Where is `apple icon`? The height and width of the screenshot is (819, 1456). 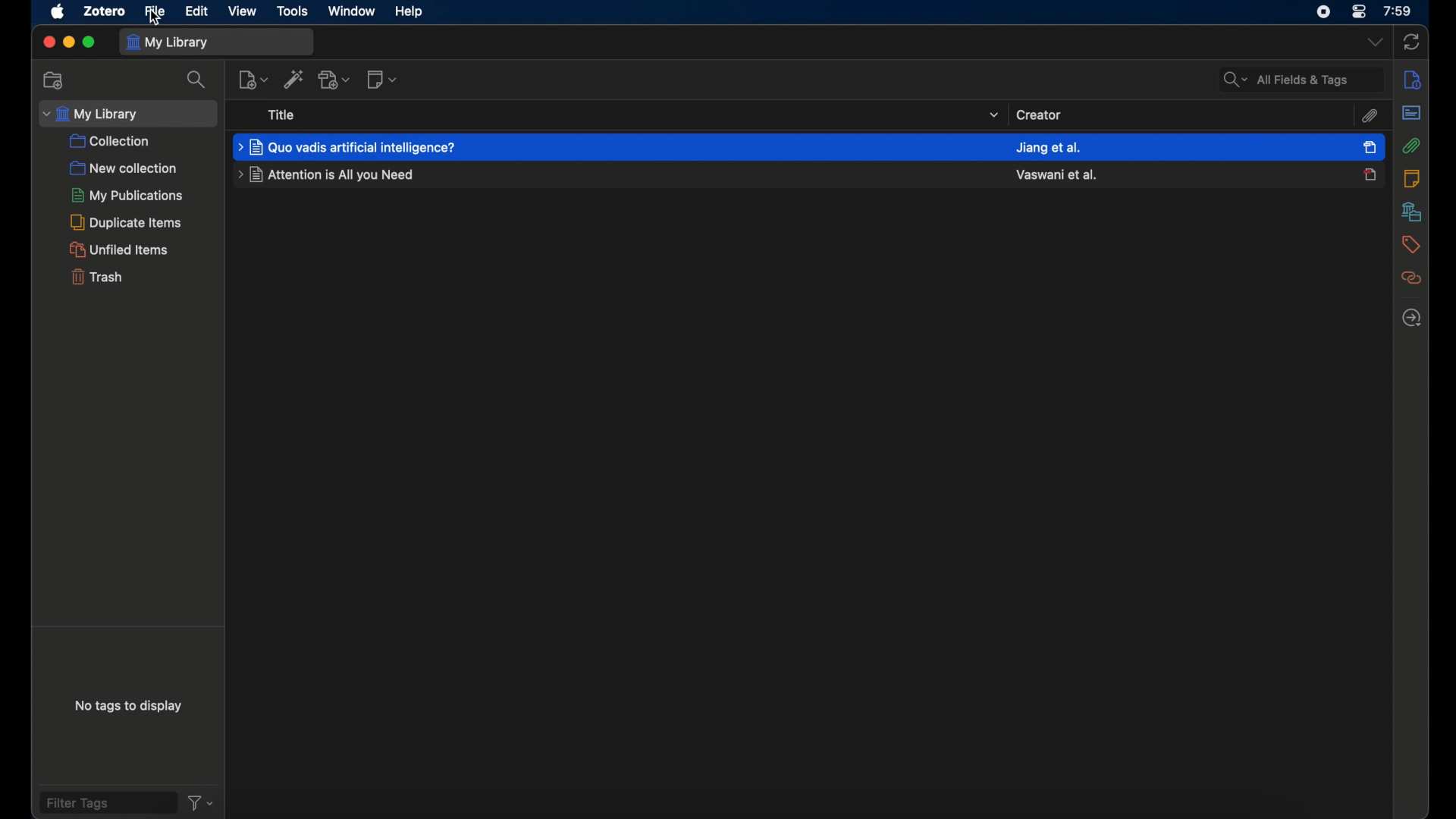 apple icon is located at coordinates (56, 12).